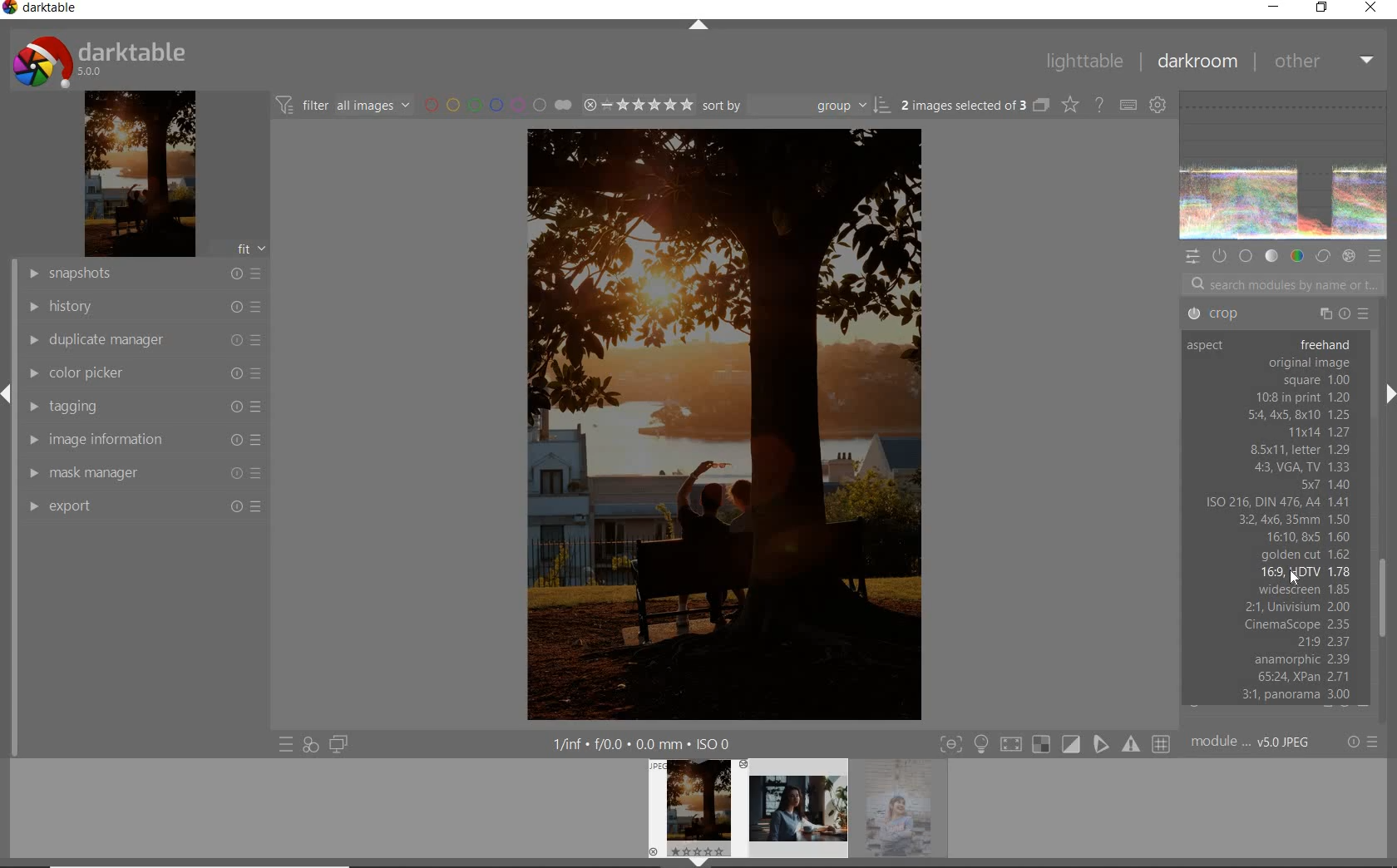  I want to click on display a second darkroom image window, so click(338, 746).